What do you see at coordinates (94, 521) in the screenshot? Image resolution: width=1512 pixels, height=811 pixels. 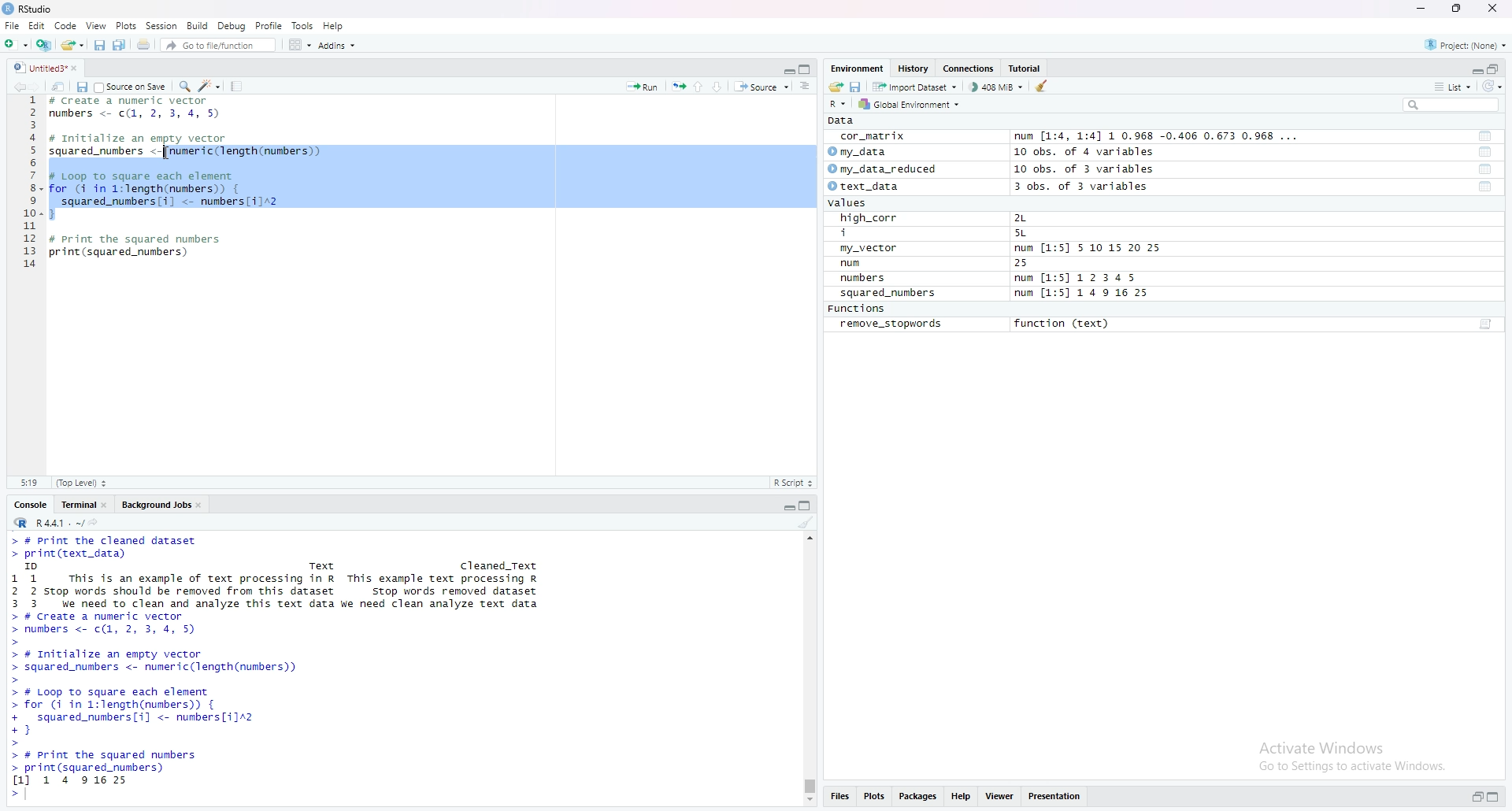 I see `view the current working directory` at bounding box center [94, 521].